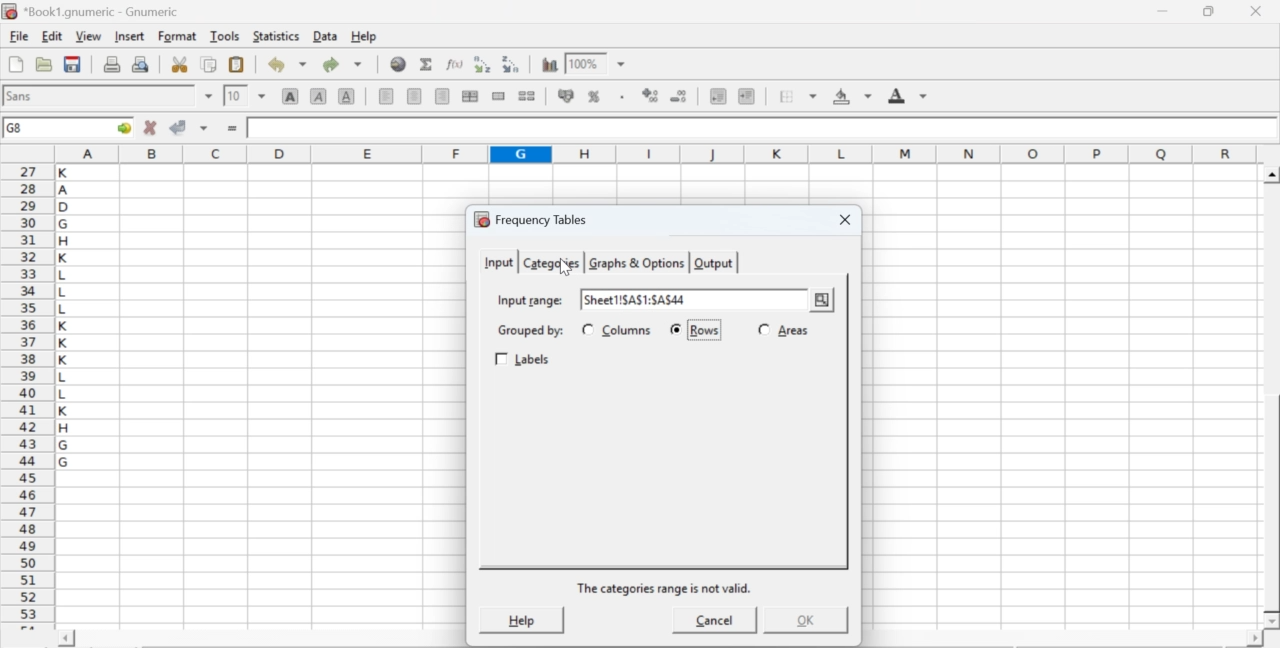 The height and width of the screenshot is (648, 1280). Describe the element at coordinates (235, 96) in the screenshot. I see `10` at that location.